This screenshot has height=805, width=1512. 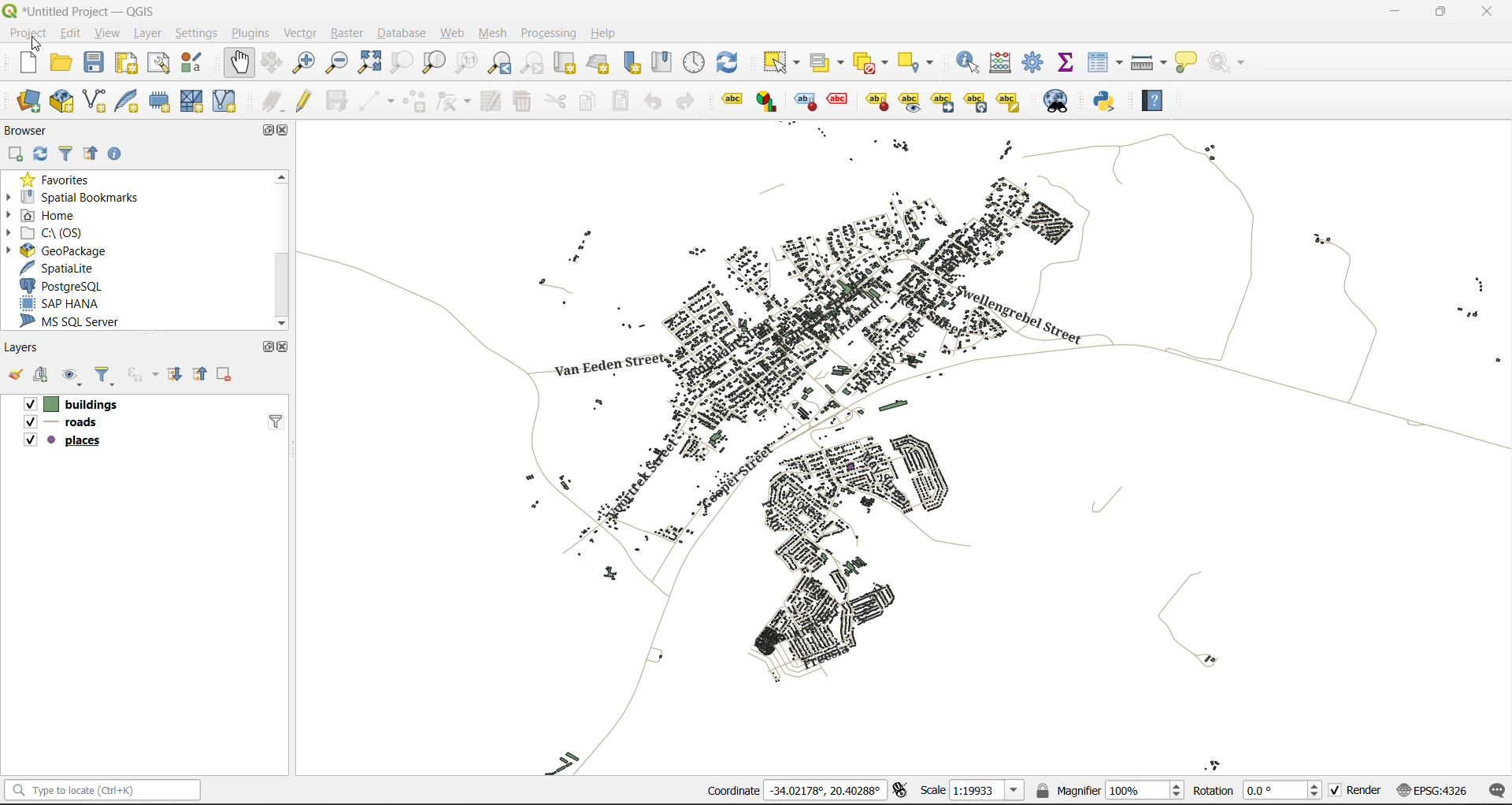 What do you see at coordinates (1110, 788) in the screenshot?
I see `magnifier` at bounding box center [1110, 788].